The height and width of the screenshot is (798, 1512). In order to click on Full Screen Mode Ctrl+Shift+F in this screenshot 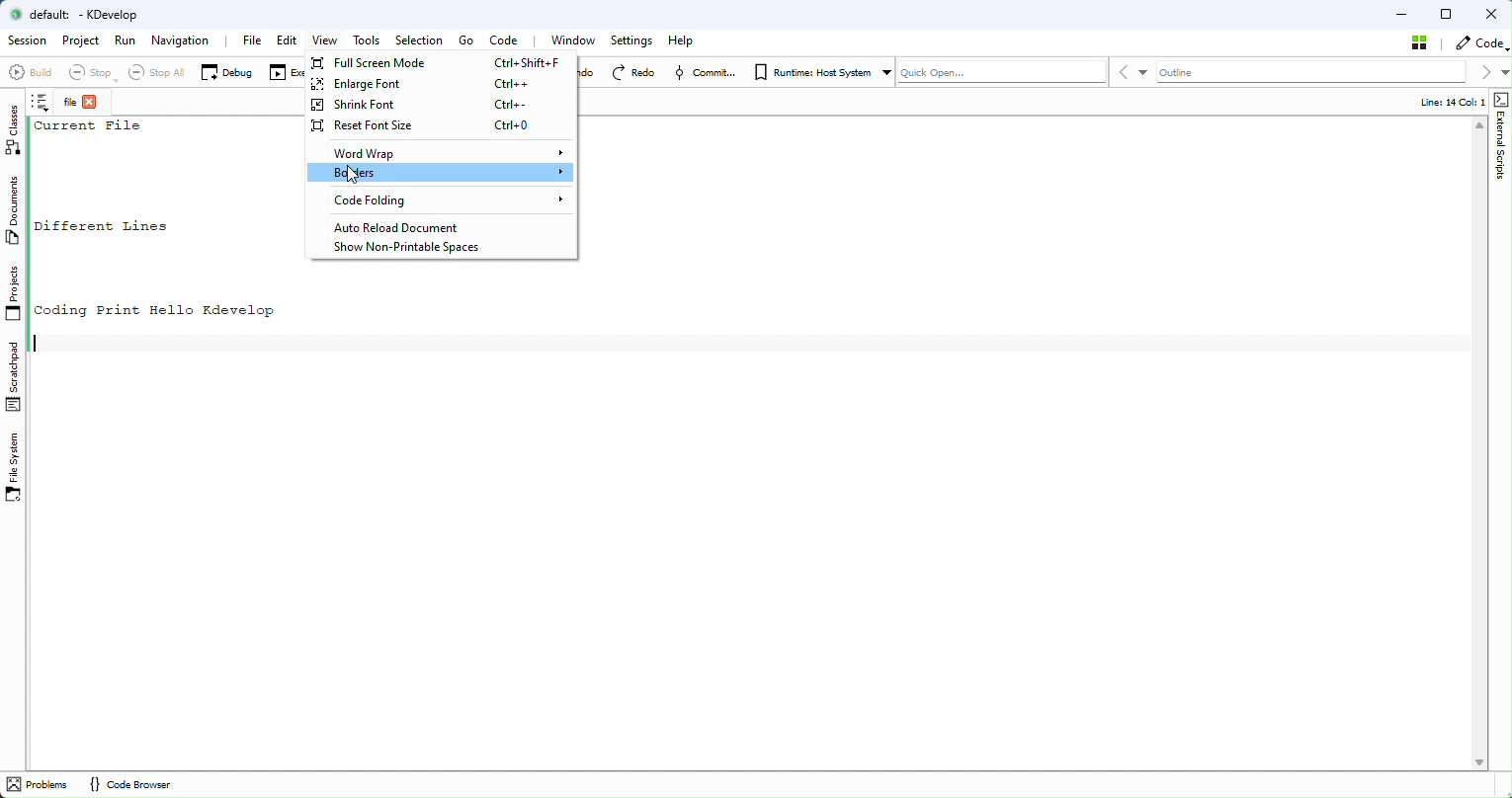, I will do `click(442, 63)`.